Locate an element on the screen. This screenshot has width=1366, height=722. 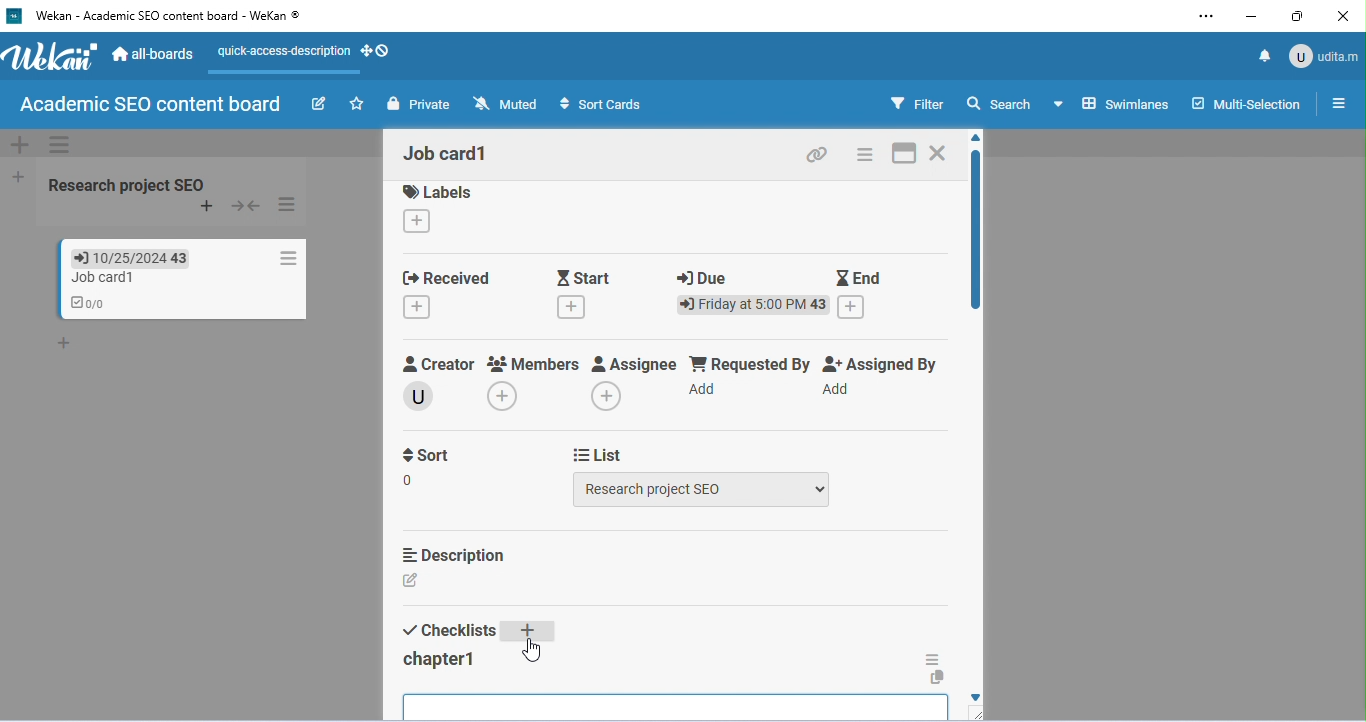
list is located at coordinates (600, 453).